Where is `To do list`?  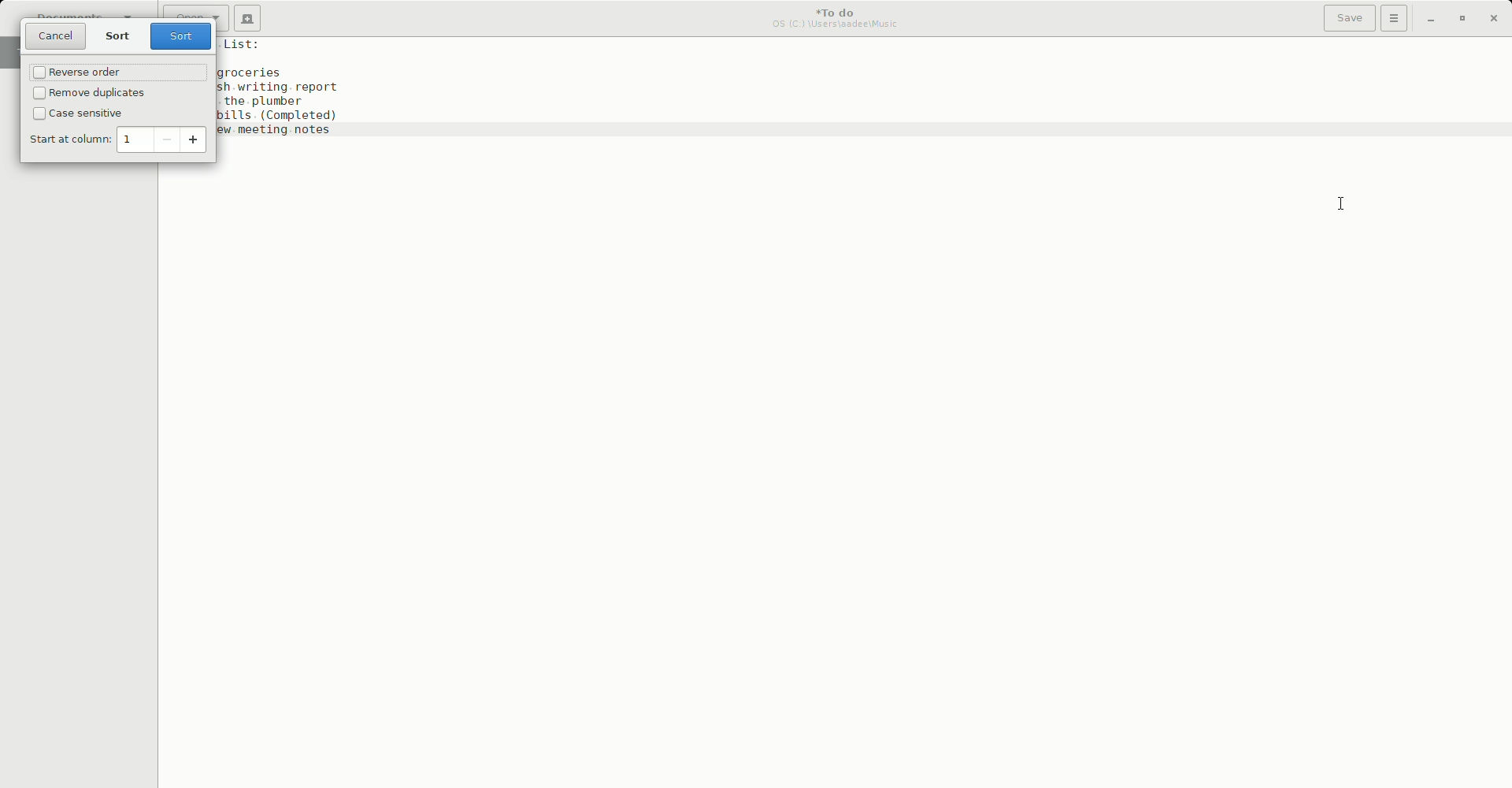
To do list is located at coordinates (287, 88).